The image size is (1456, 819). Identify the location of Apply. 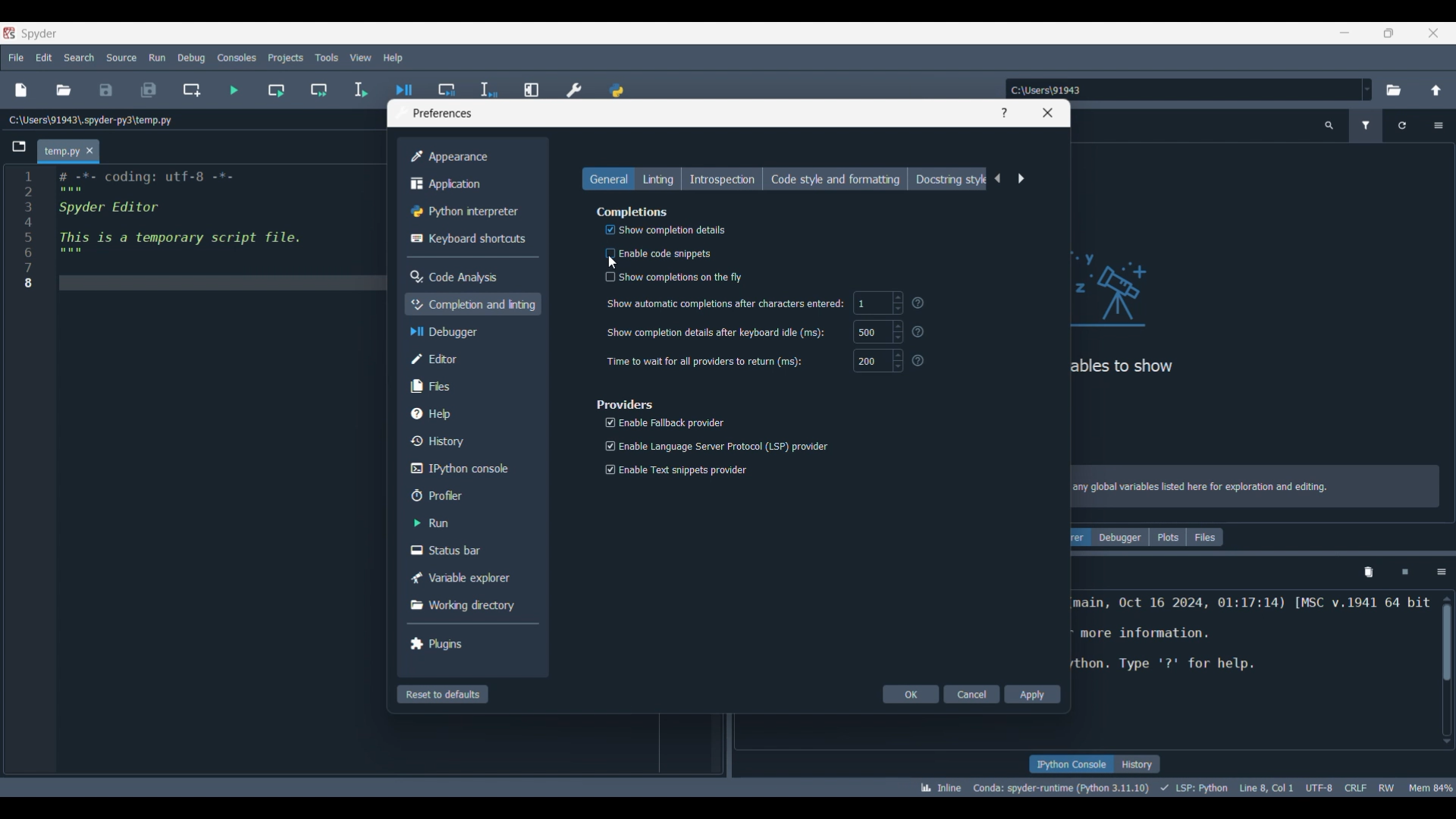
(1033, 694).